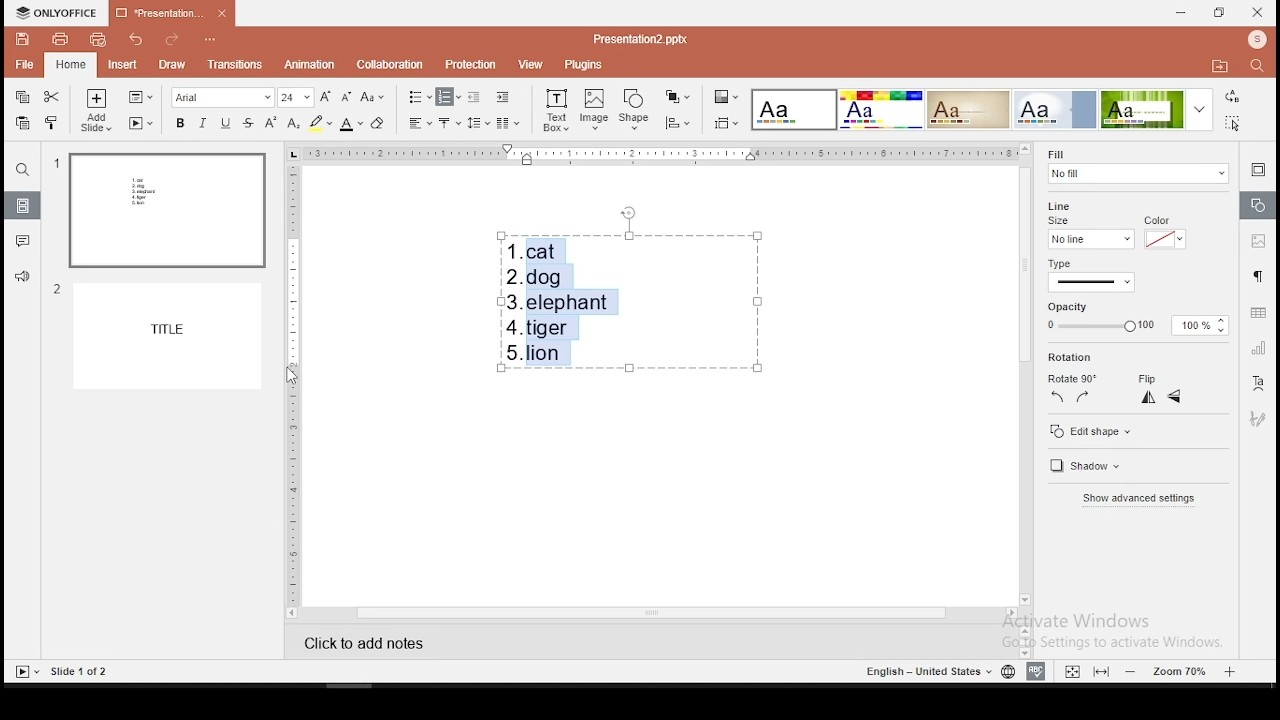 This screenshot has width=1280, height=720. I want to click on zoom level, so click(1180, 671).